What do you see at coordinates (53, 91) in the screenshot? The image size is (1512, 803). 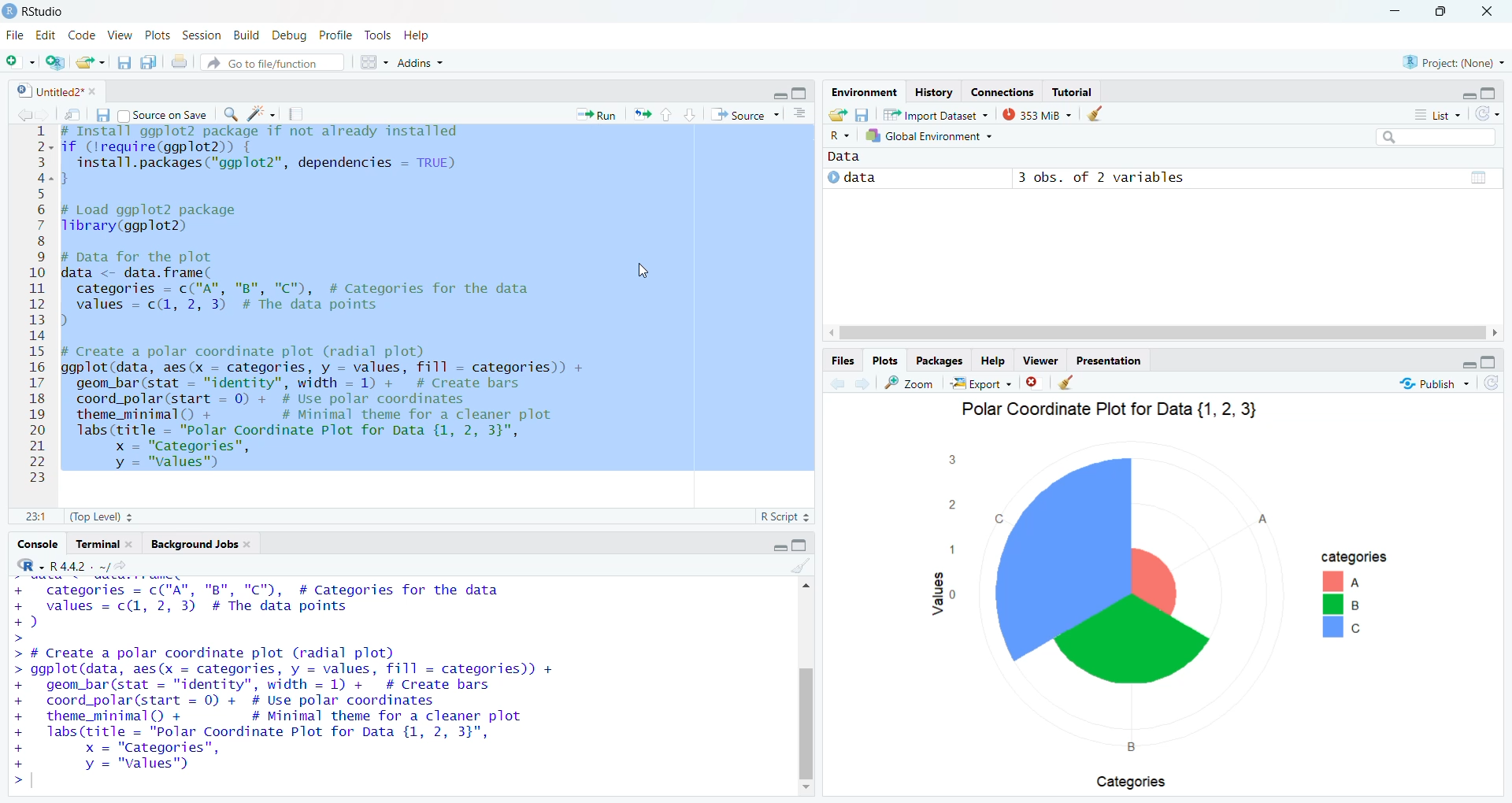 I see ` Untitled2` at bounding box center [53, 91].